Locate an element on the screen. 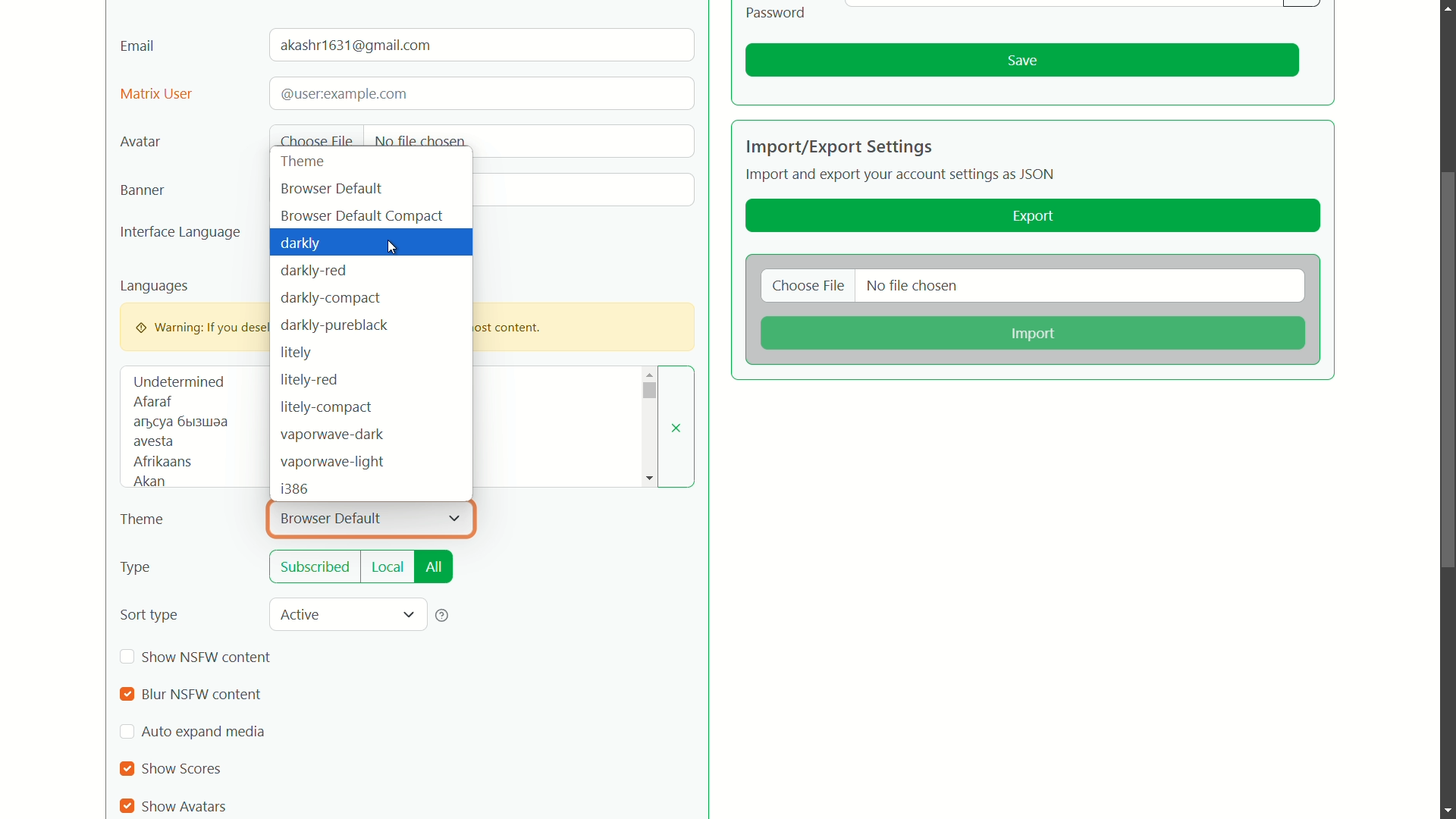  checkbox is located at coordinates (129, 769).